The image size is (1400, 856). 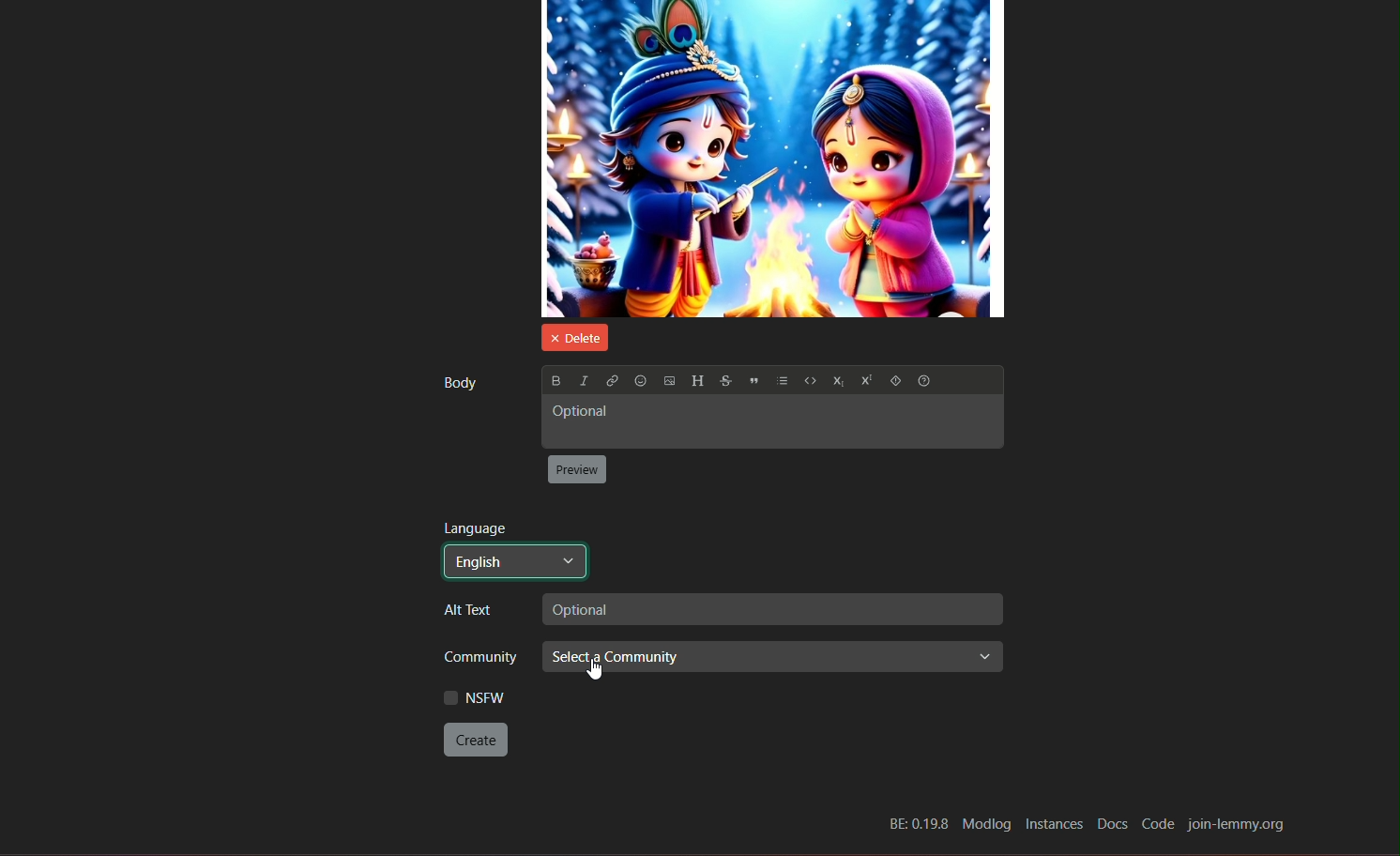 I want to click on italic, so click(x=582, y=379).